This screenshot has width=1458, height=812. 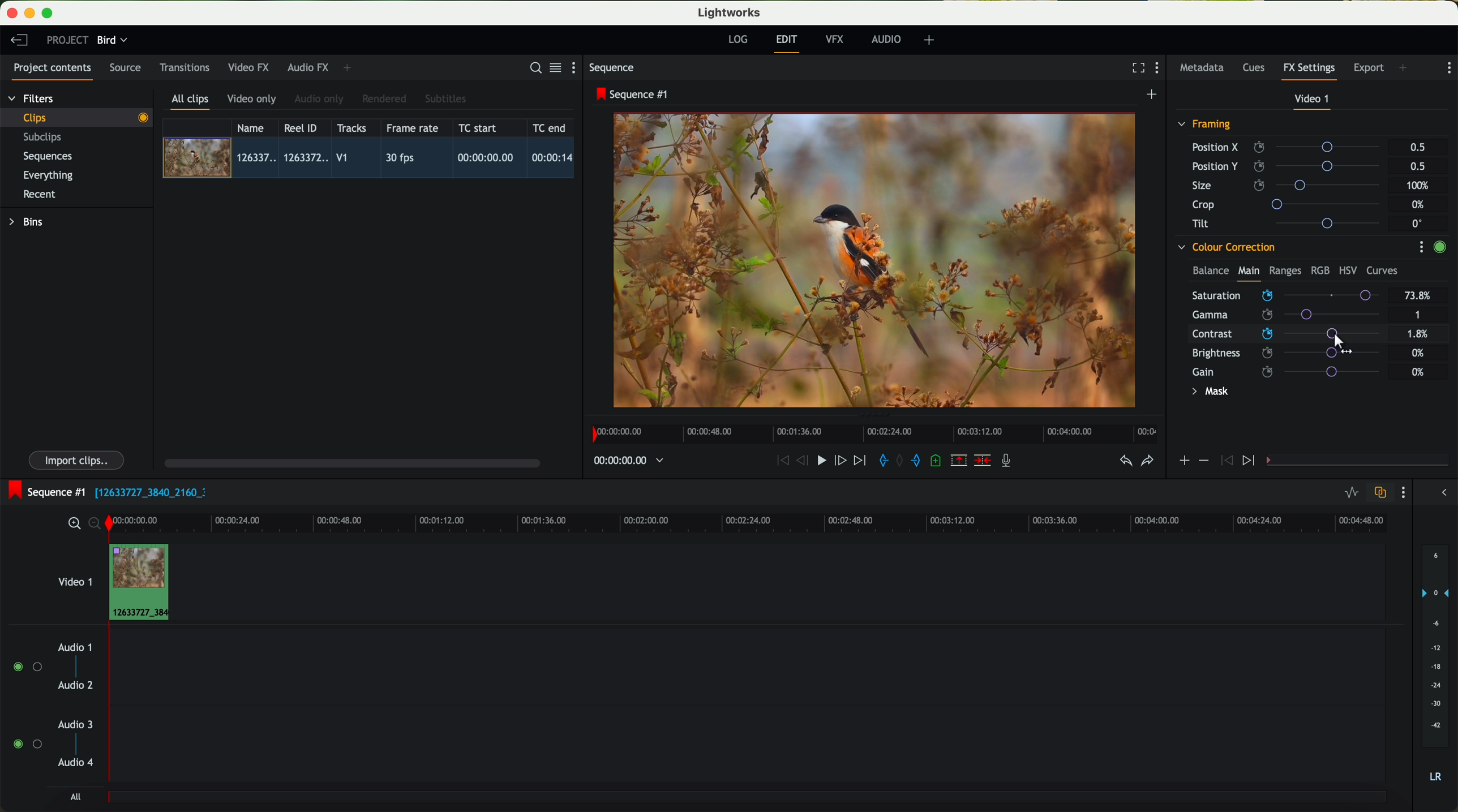 What do you see at coordinates (554, 67) in the screenshot?
I see `toggle between list and title view` at bounding box center [554, 67].